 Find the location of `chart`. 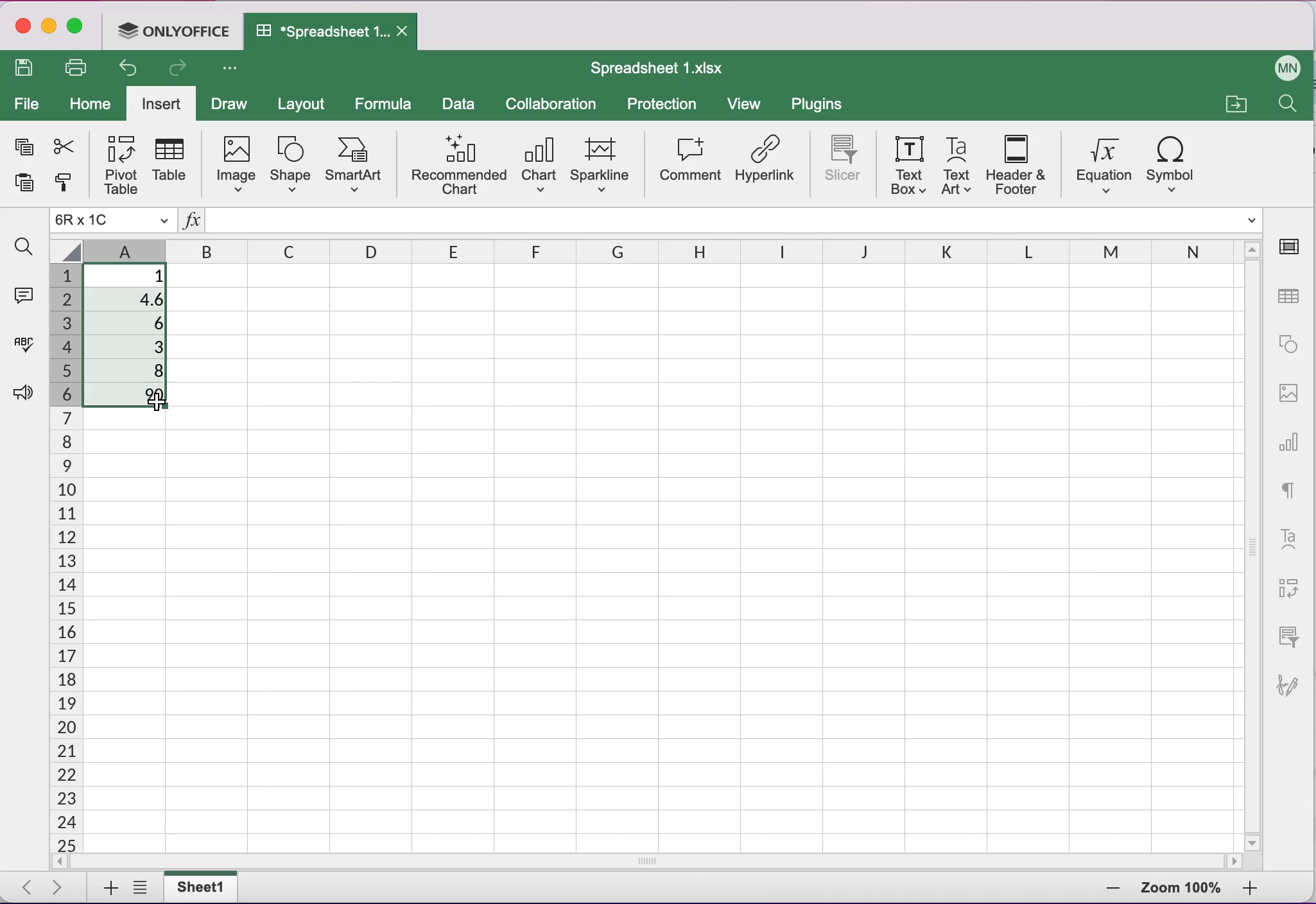

chart is located at coordinates (539, 167).